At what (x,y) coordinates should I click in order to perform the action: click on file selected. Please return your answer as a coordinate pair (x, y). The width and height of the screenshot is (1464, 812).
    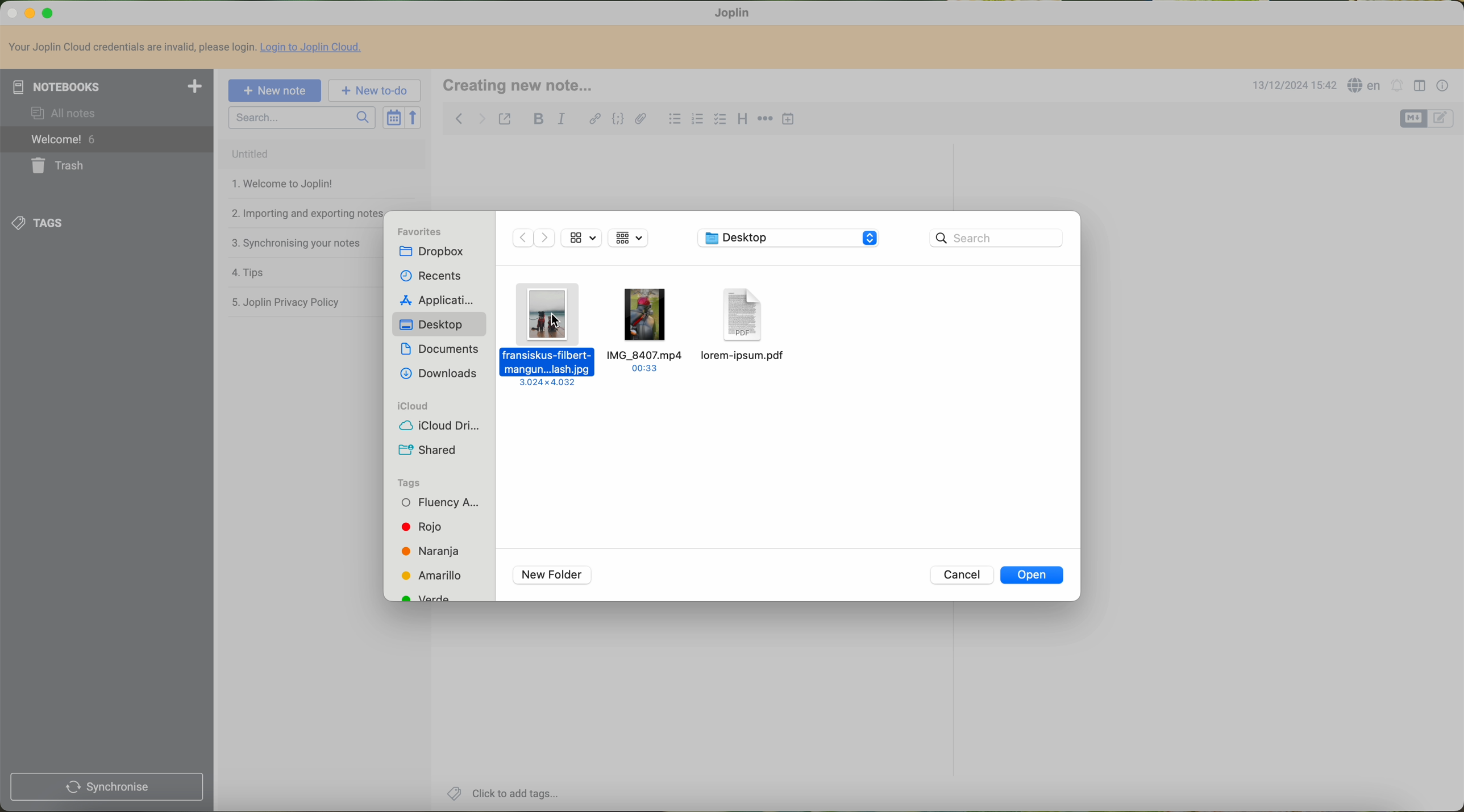
    Looking at the image, I should click on (549, 335).